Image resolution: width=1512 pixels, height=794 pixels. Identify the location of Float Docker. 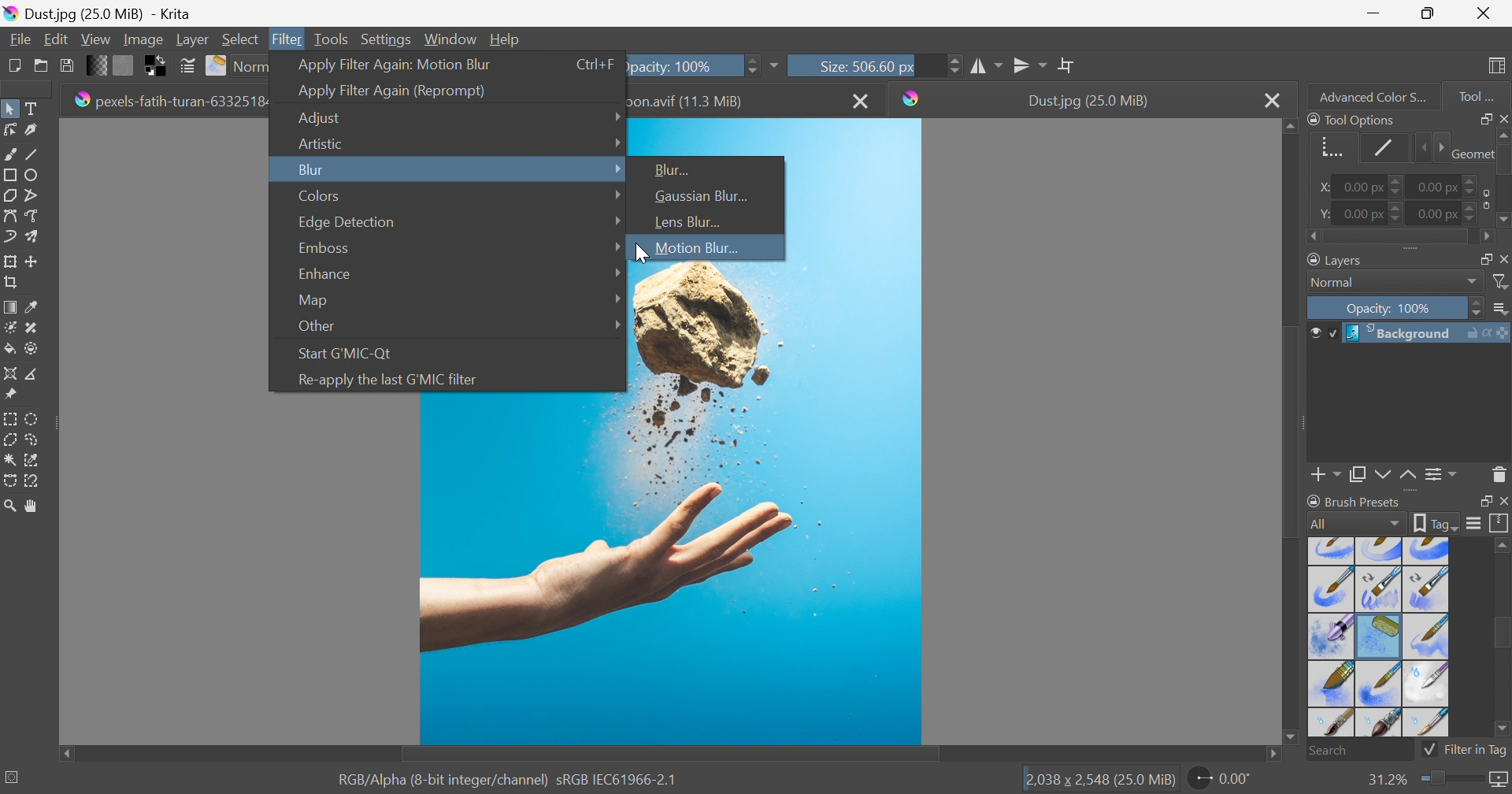
(1503, 258).